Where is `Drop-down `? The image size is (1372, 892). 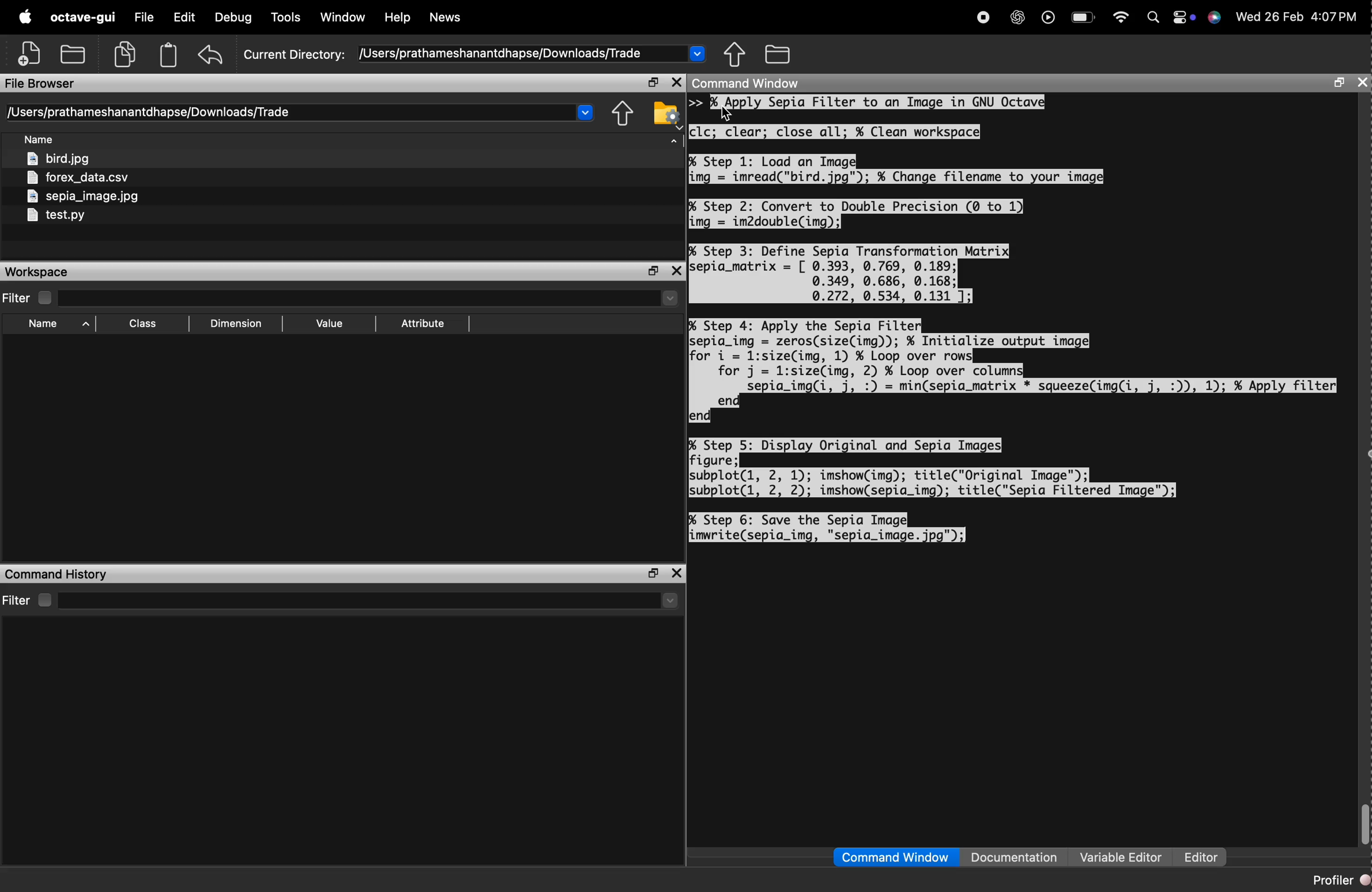 Drop-down  is located at coordinates (585, 112).